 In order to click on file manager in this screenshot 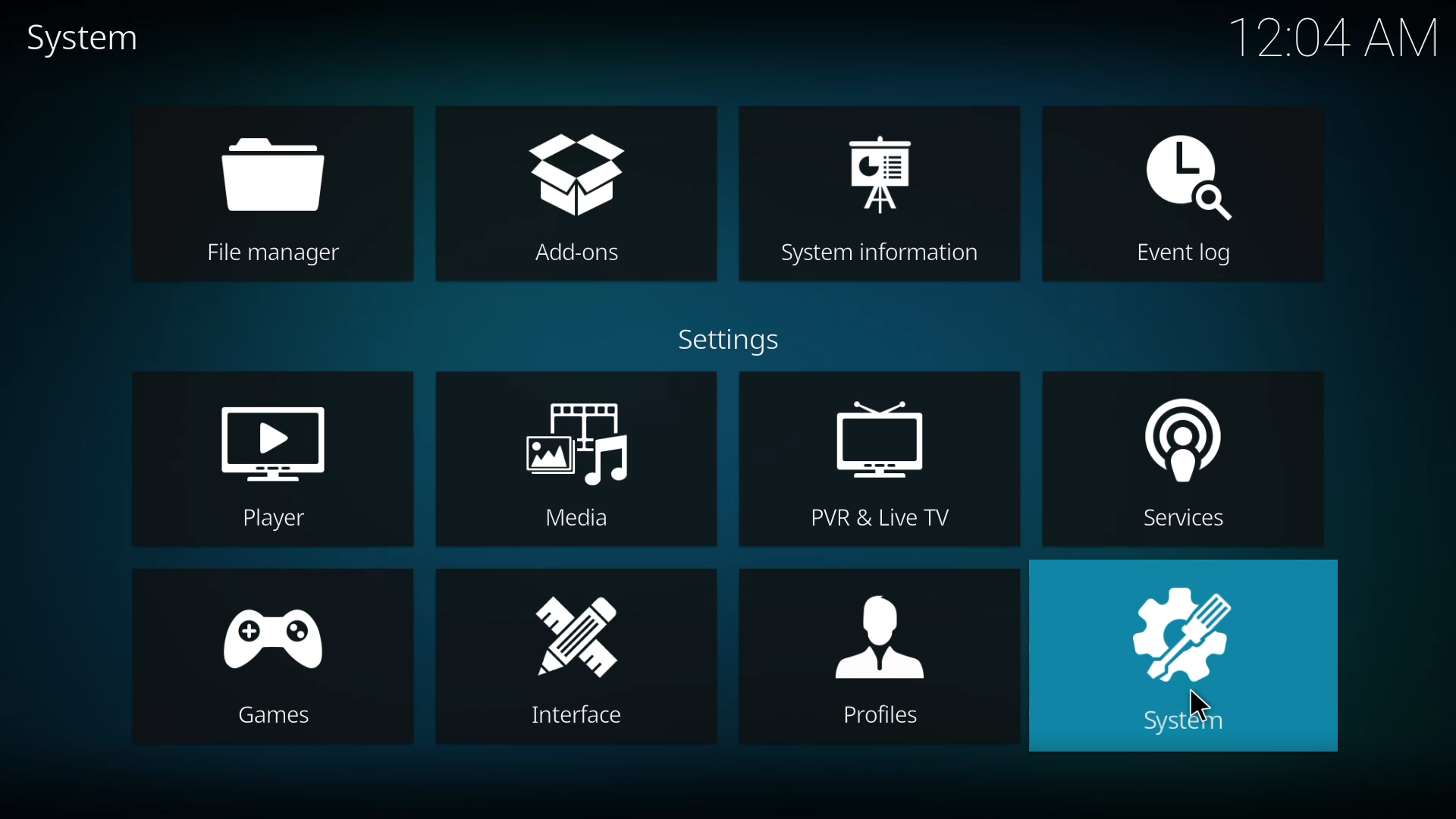, I will do `click(273, 190)`.